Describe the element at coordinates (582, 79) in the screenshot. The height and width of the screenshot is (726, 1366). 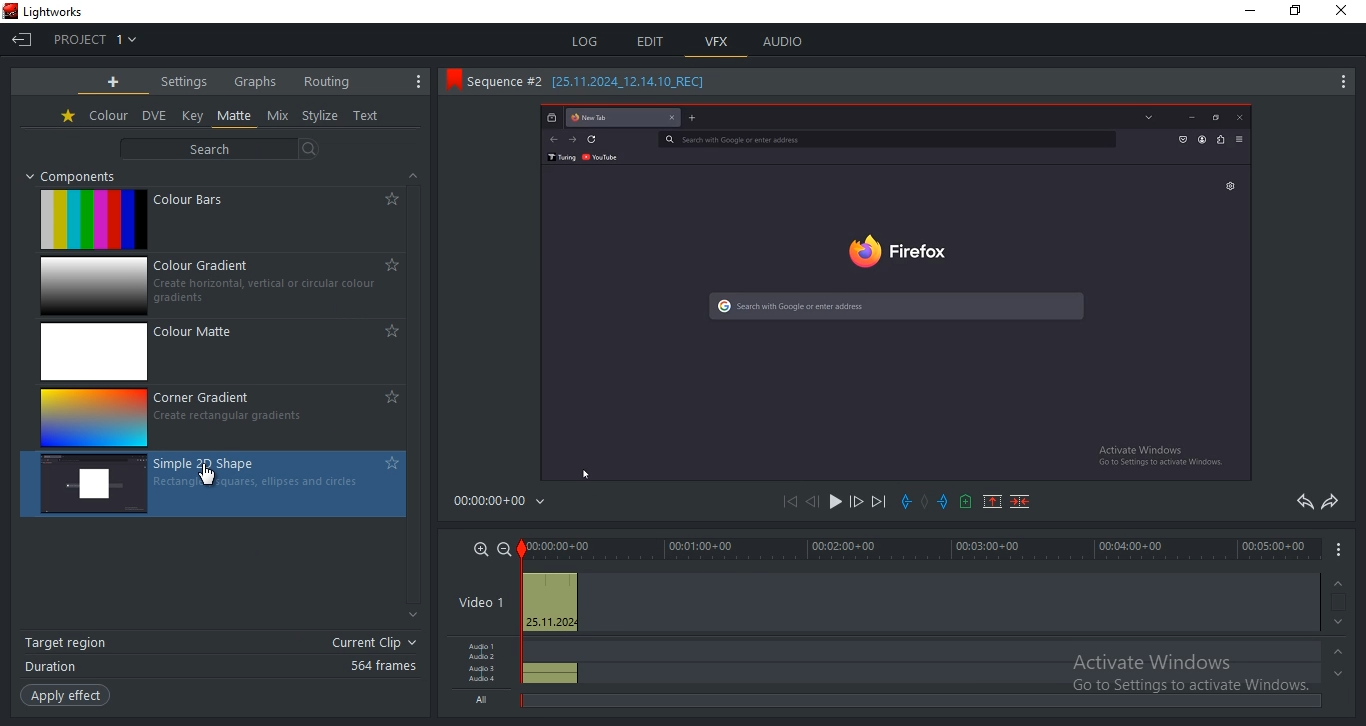
I see `sequence title` at that location.